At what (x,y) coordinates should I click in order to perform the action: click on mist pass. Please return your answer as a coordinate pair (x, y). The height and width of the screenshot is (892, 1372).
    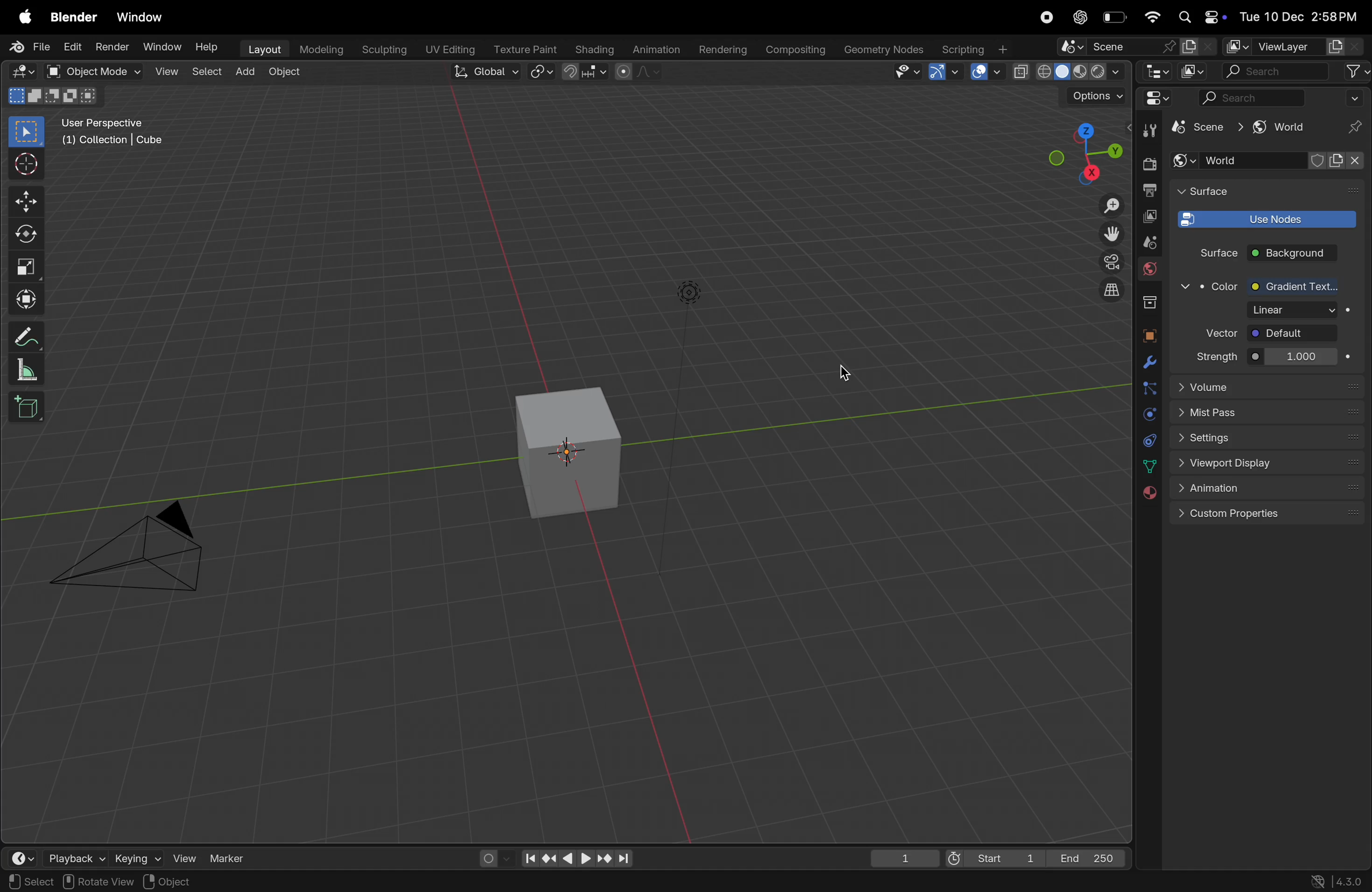
    Looking at the image, I should click on (1269, 411).